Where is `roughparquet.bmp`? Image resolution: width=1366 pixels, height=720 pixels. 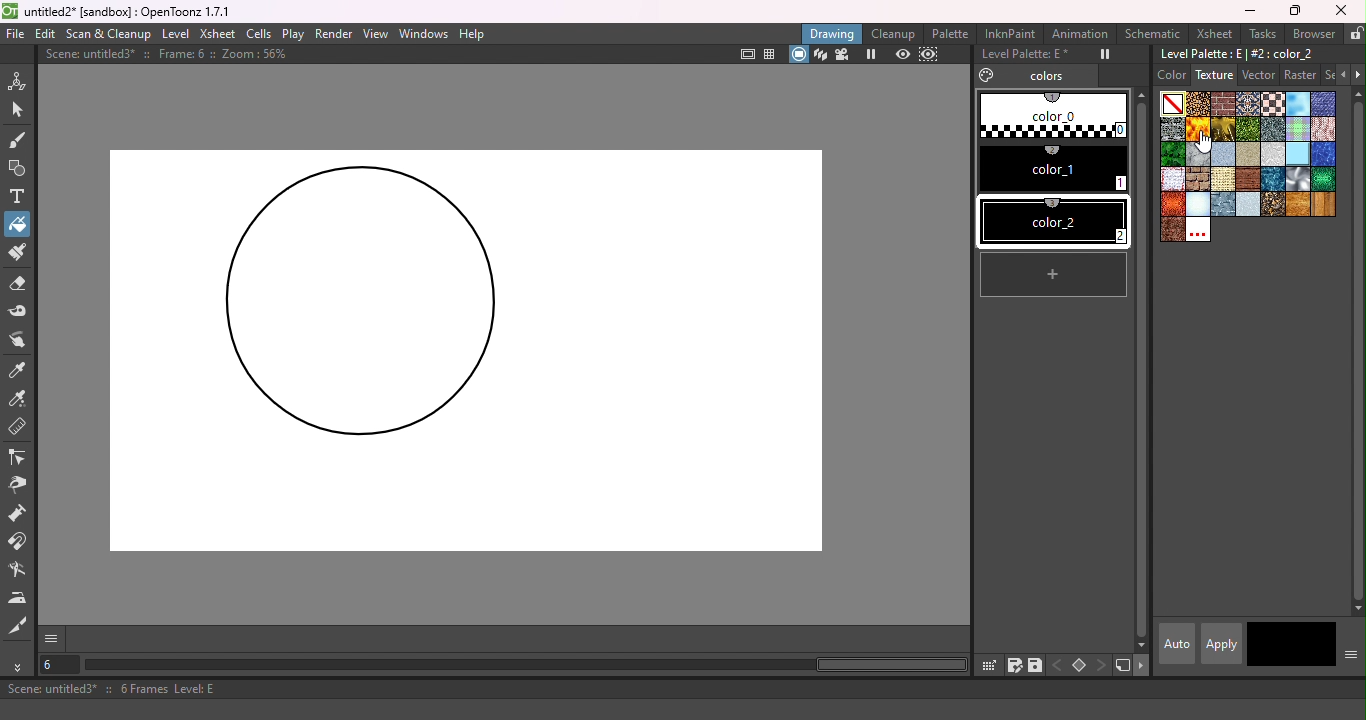 roughparquet.bmp is located at coordinates (1249, 180).